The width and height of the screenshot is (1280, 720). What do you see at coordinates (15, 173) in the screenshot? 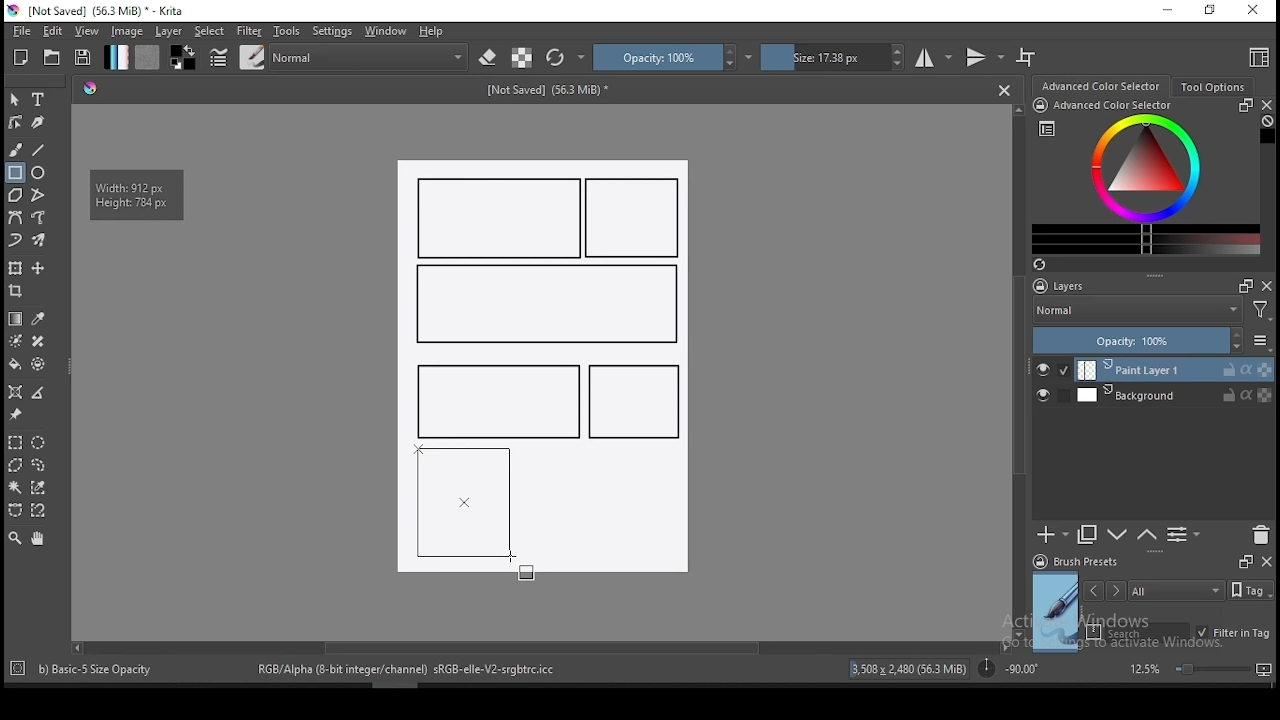
I see `rectangle tool` at bounding box center [15, 173].